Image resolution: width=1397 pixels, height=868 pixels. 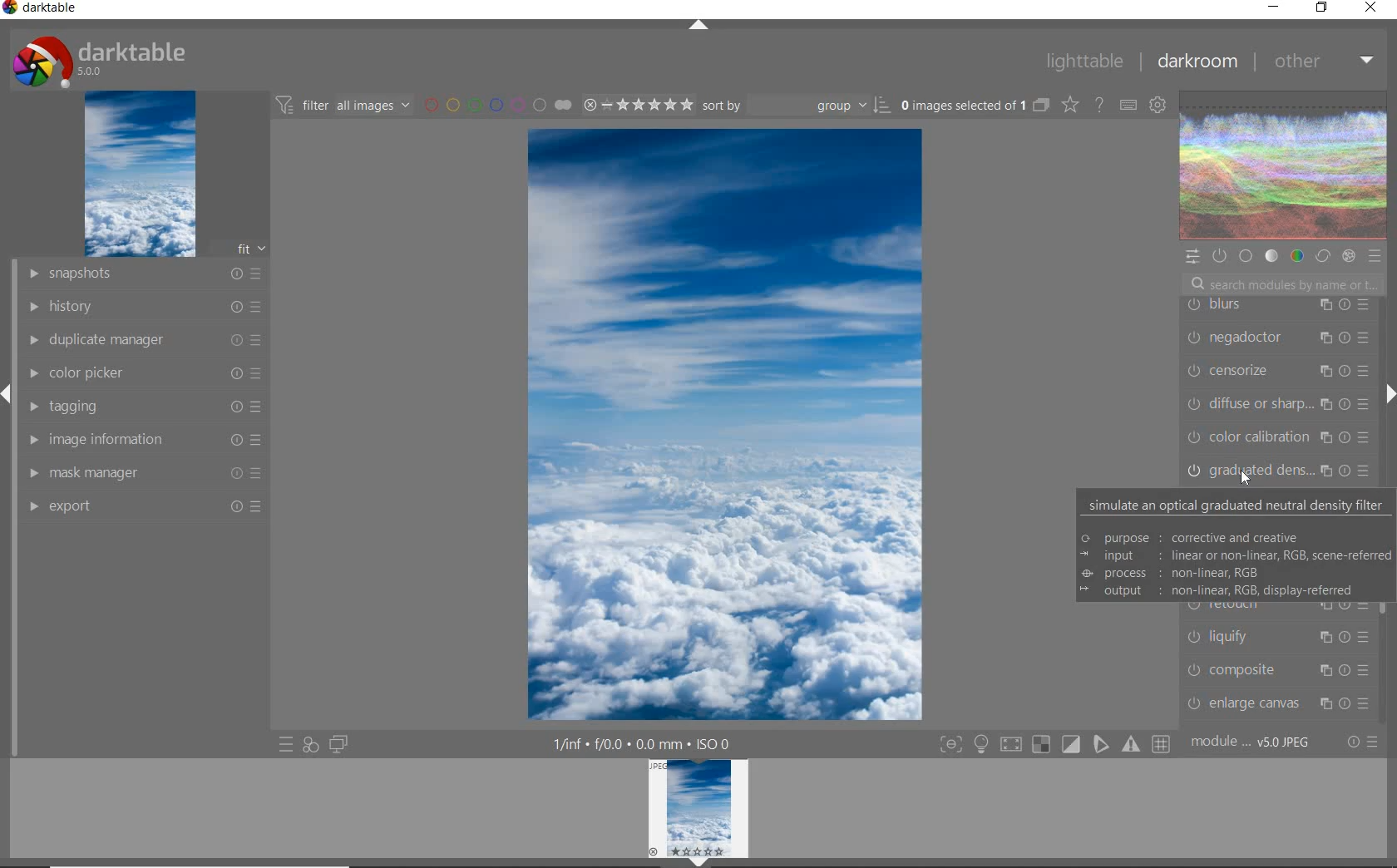 What do you see at coordinates (1157, 106) in the screenshot?
I see `SHOW GLOBAL PREFERENCE` at bounding box center [1157, 106].